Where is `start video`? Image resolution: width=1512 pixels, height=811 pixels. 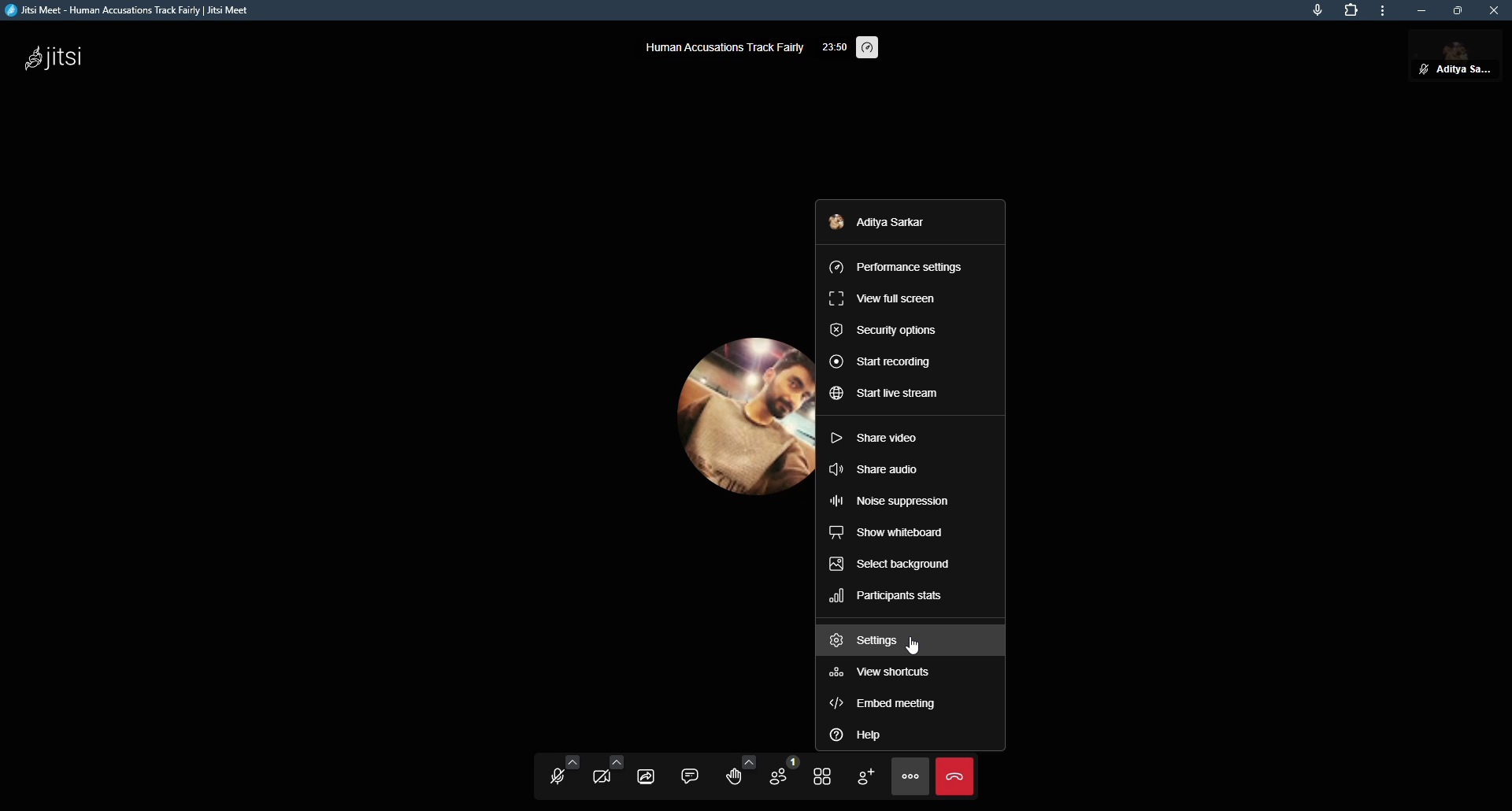
start video is located at coordinates (605, 773).